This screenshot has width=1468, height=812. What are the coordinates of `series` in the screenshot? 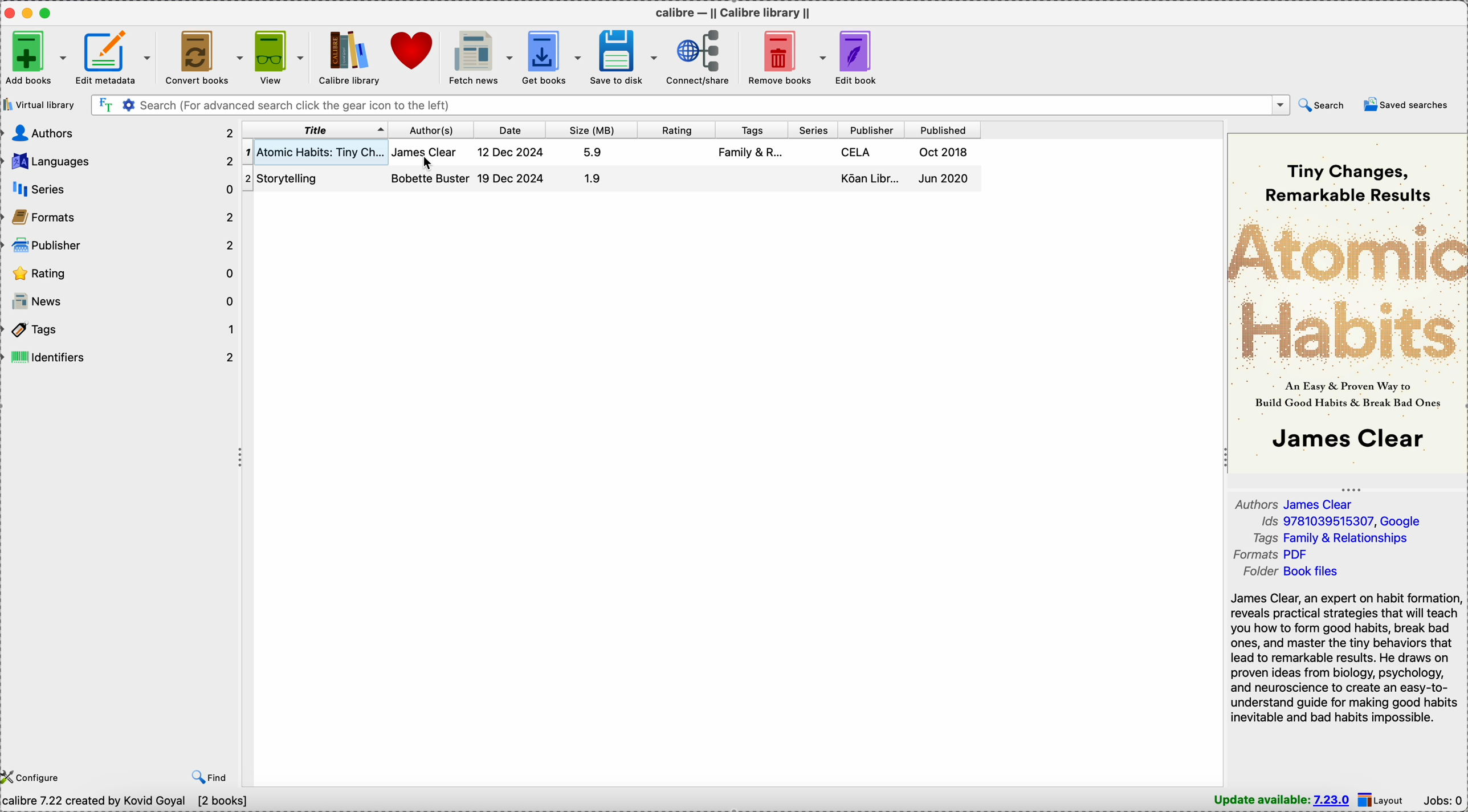 It's located at (121, 191).